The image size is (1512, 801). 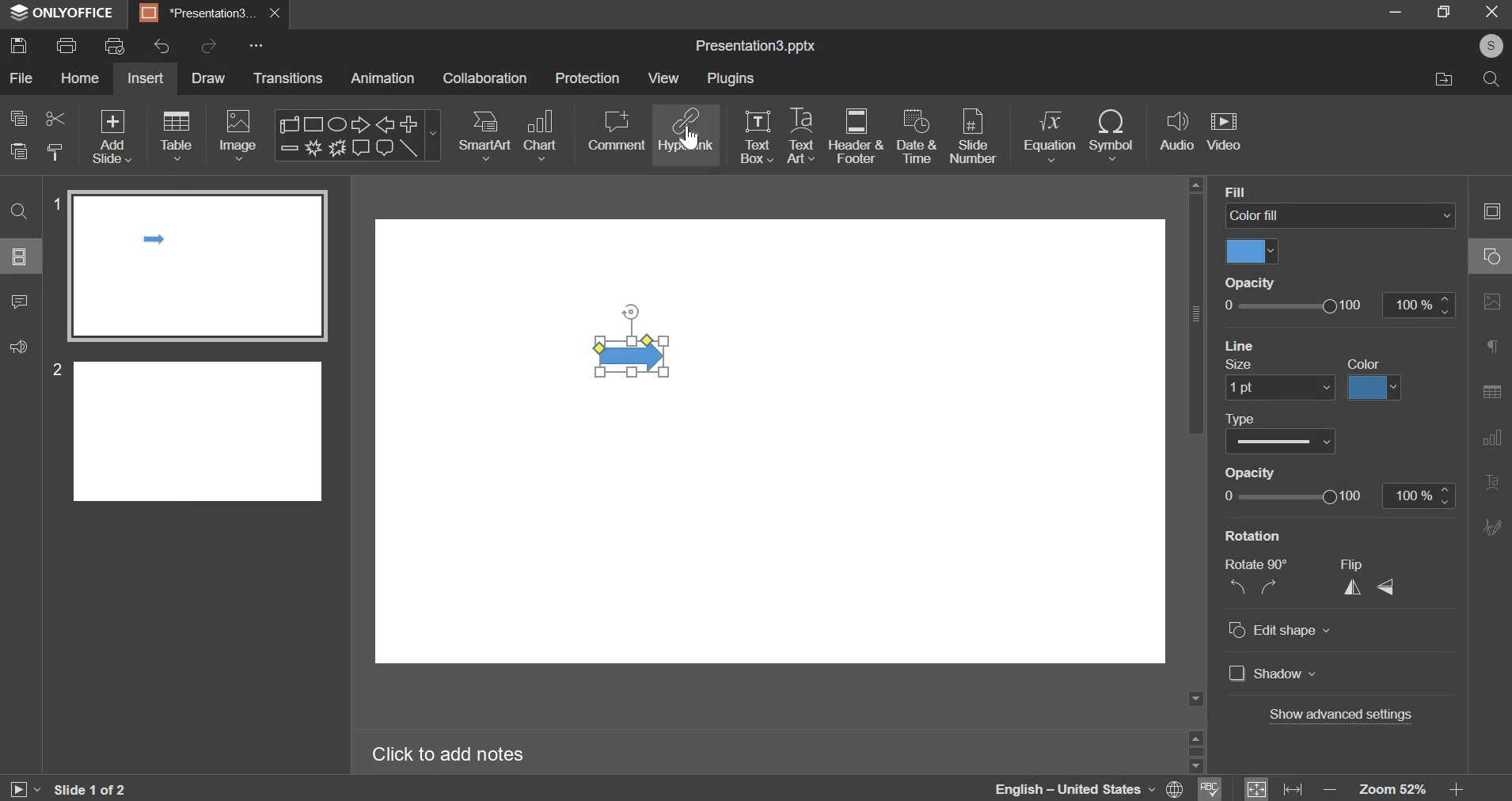 I want to click on copy, so click(x=19, y=118).